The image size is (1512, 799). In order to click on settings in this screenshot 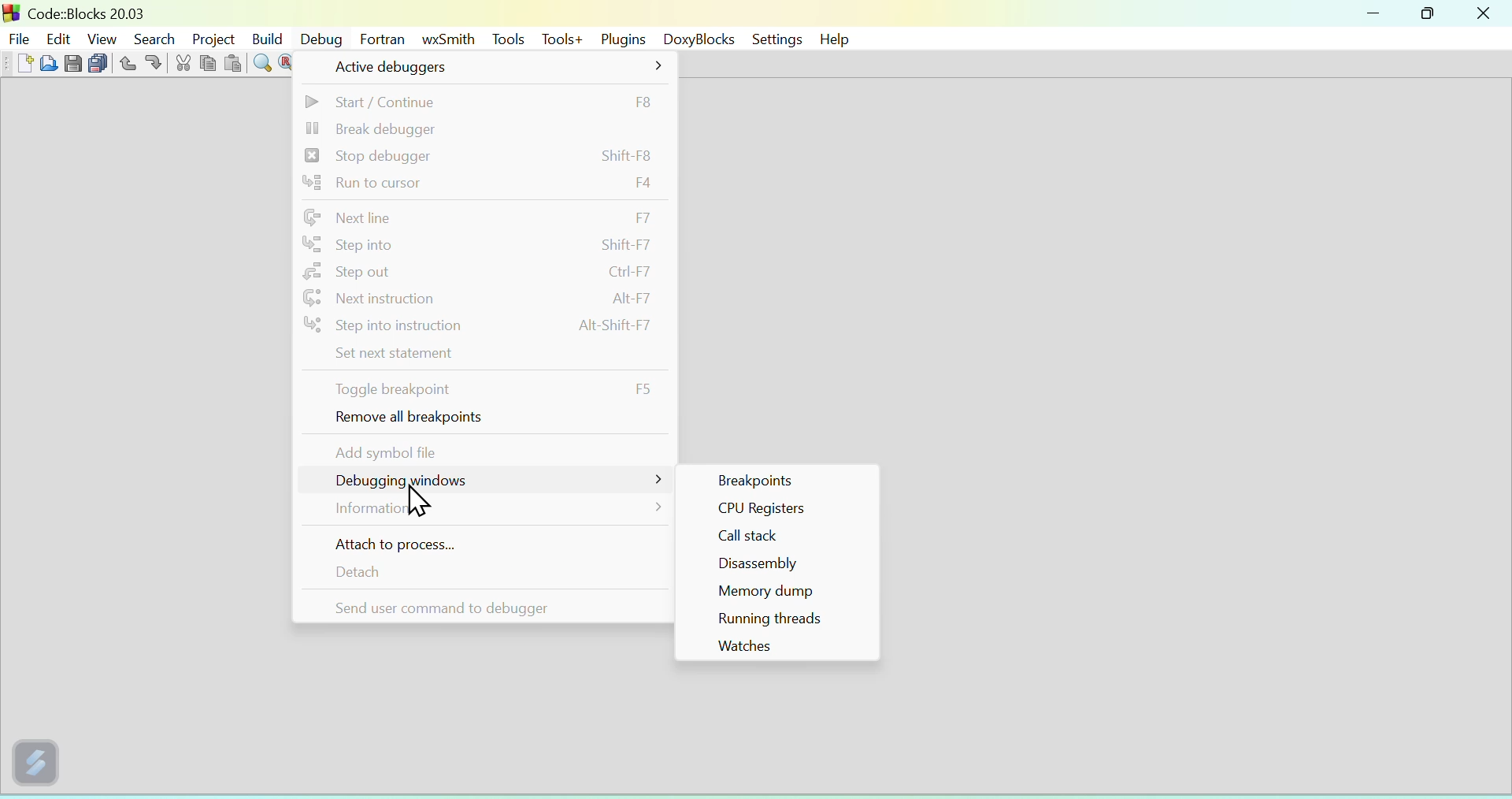, I will do `click(776, 39)`.